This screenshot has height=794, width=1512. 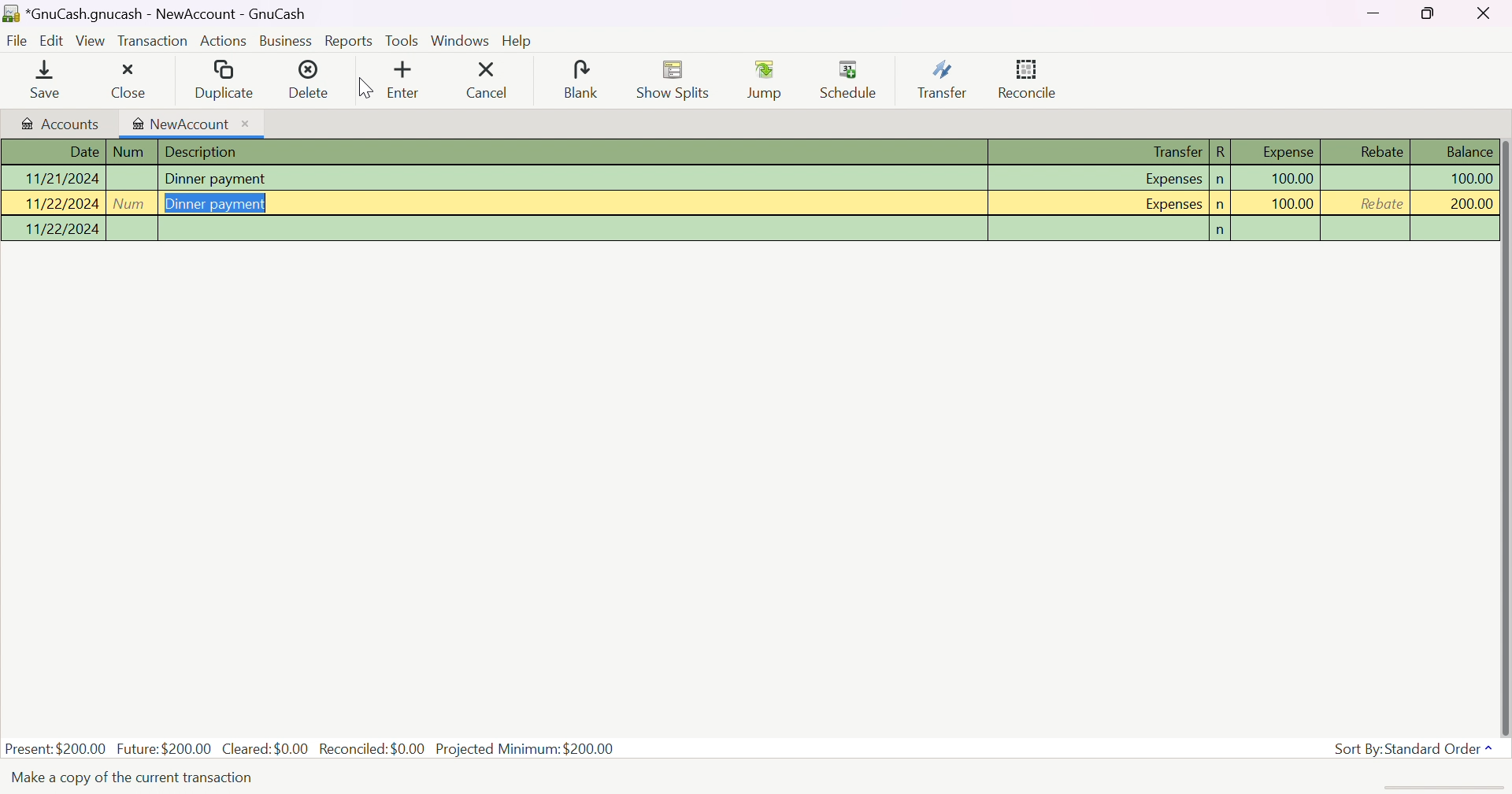 What do you see at coordinates (1416, 749) in the screenshot?
I see `Sort By: Standard Order` at bounding box center [1416, 749].